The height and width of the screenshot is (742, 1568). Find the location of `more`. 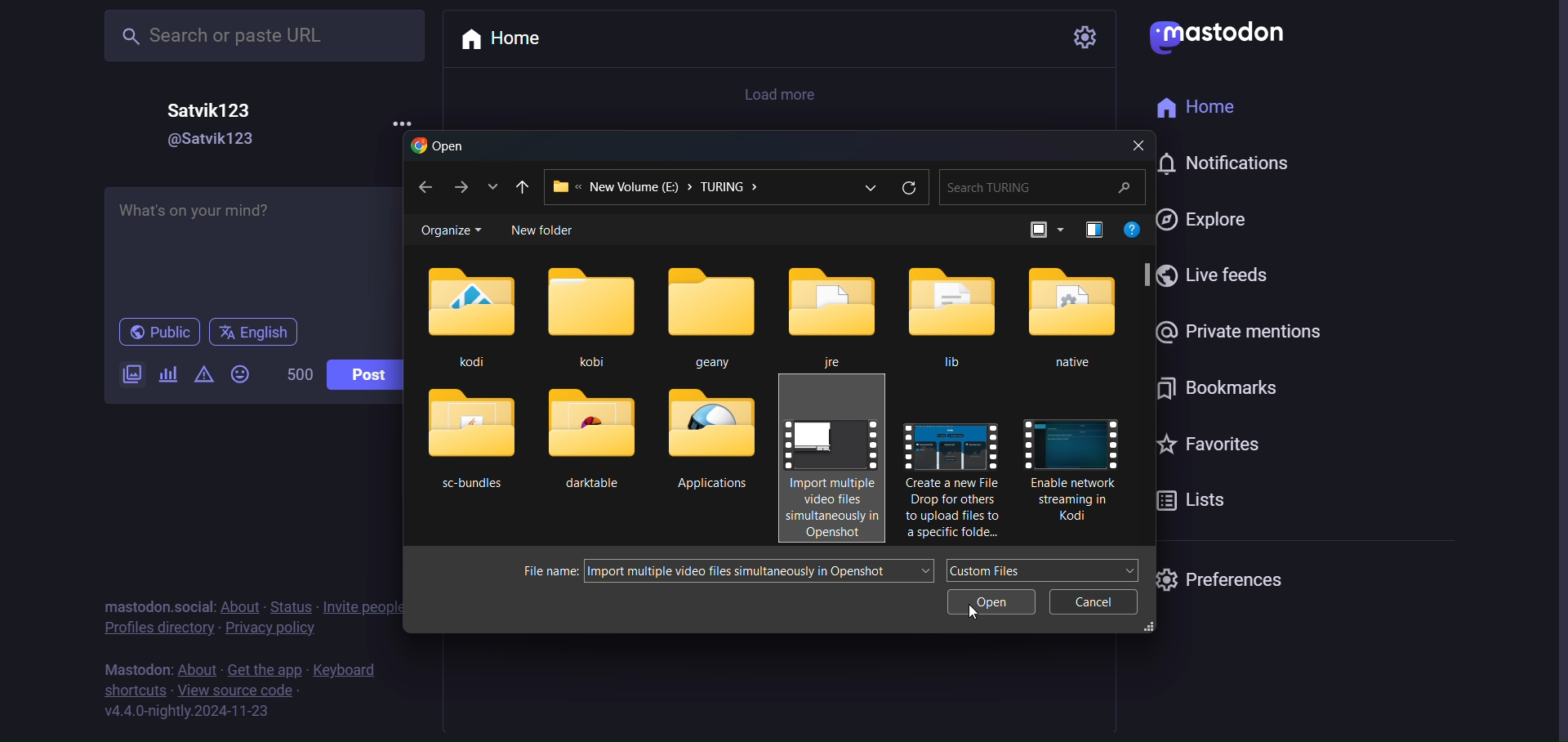

more is located at coordinates (406, 123).